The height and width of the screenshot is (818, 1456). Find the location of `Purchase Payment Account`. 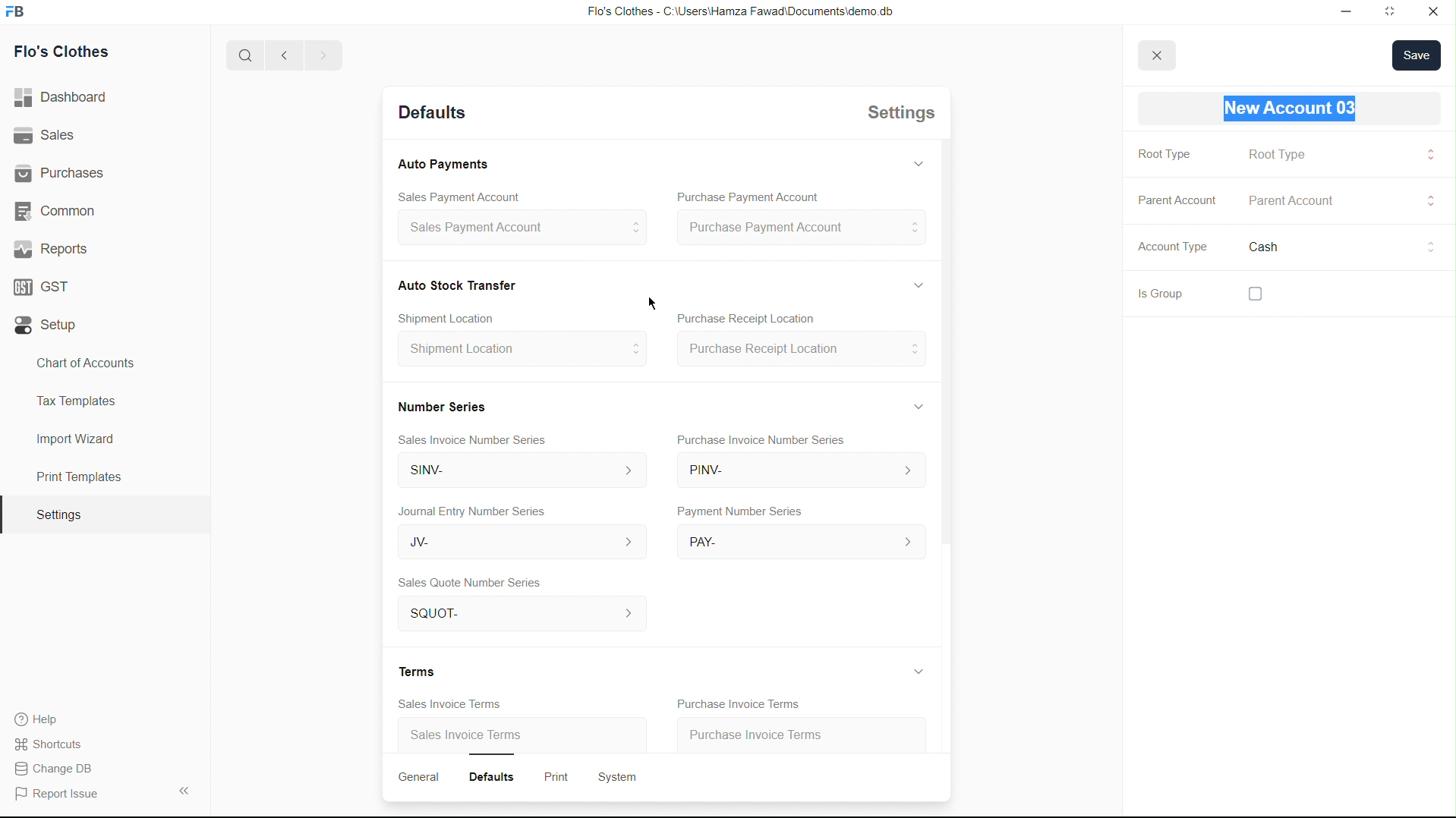

Purchase Payment Account is located at coordinates (800, 228).